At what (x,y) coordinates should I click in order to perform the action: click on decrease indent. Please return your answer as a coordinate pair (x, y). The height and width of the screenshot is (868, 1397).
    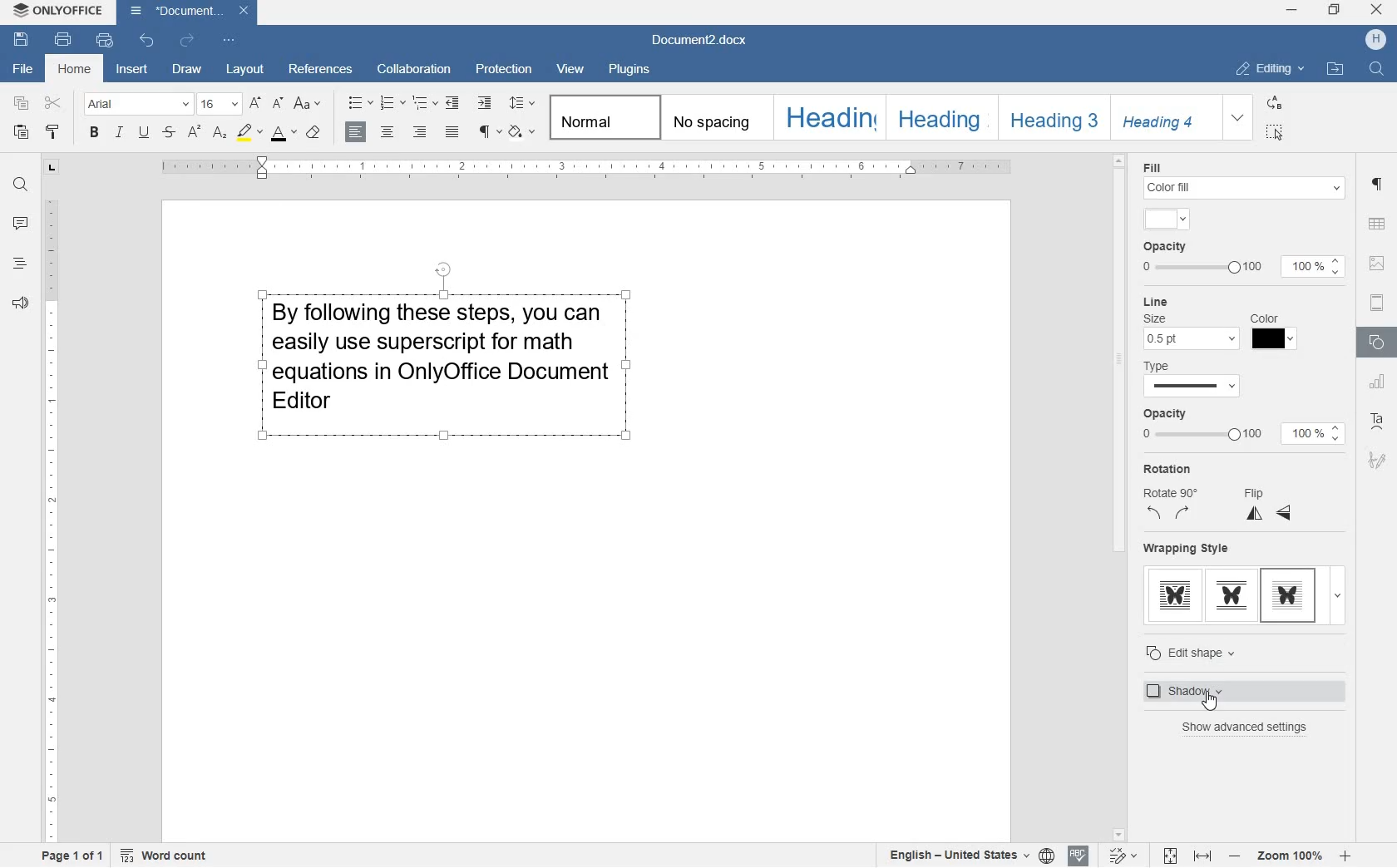
    Looking at the image, I should click on (453, 104).